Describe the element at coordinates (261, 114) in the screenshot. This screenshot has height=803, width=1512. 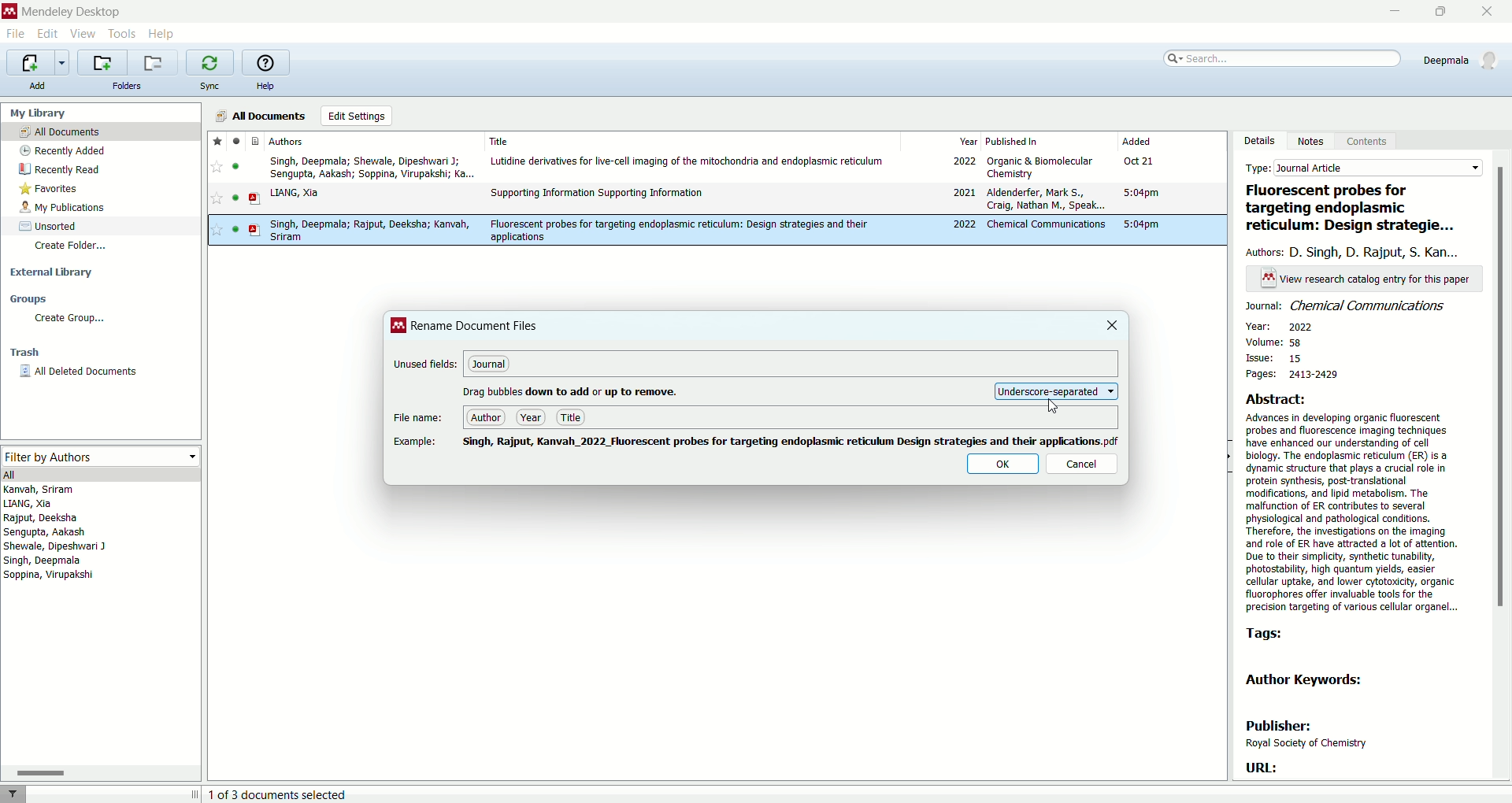
I see `all documents` at that location.